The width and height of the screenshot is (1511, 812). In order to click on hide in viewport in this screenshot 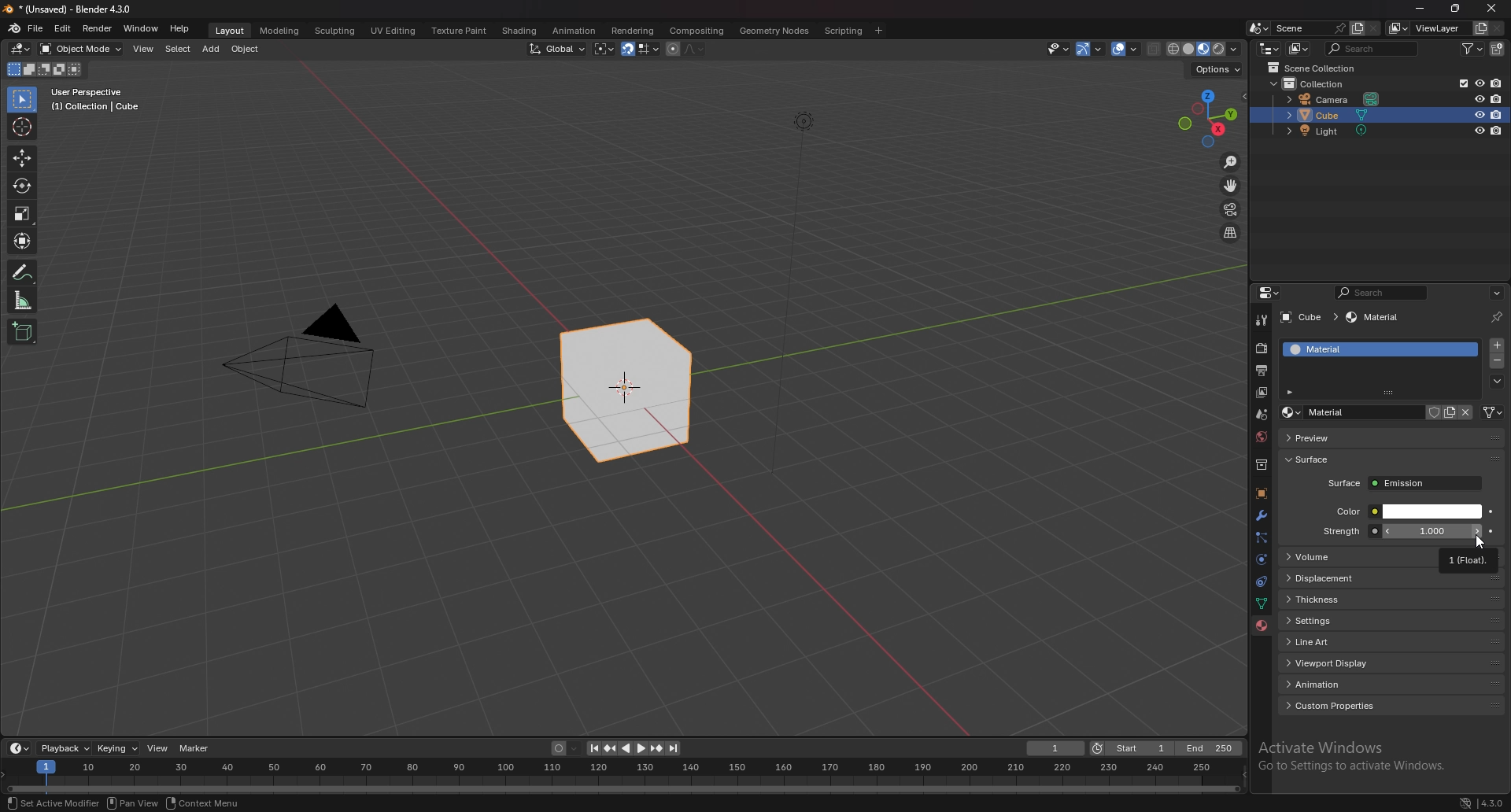, I will do `click(1480, 130)`.